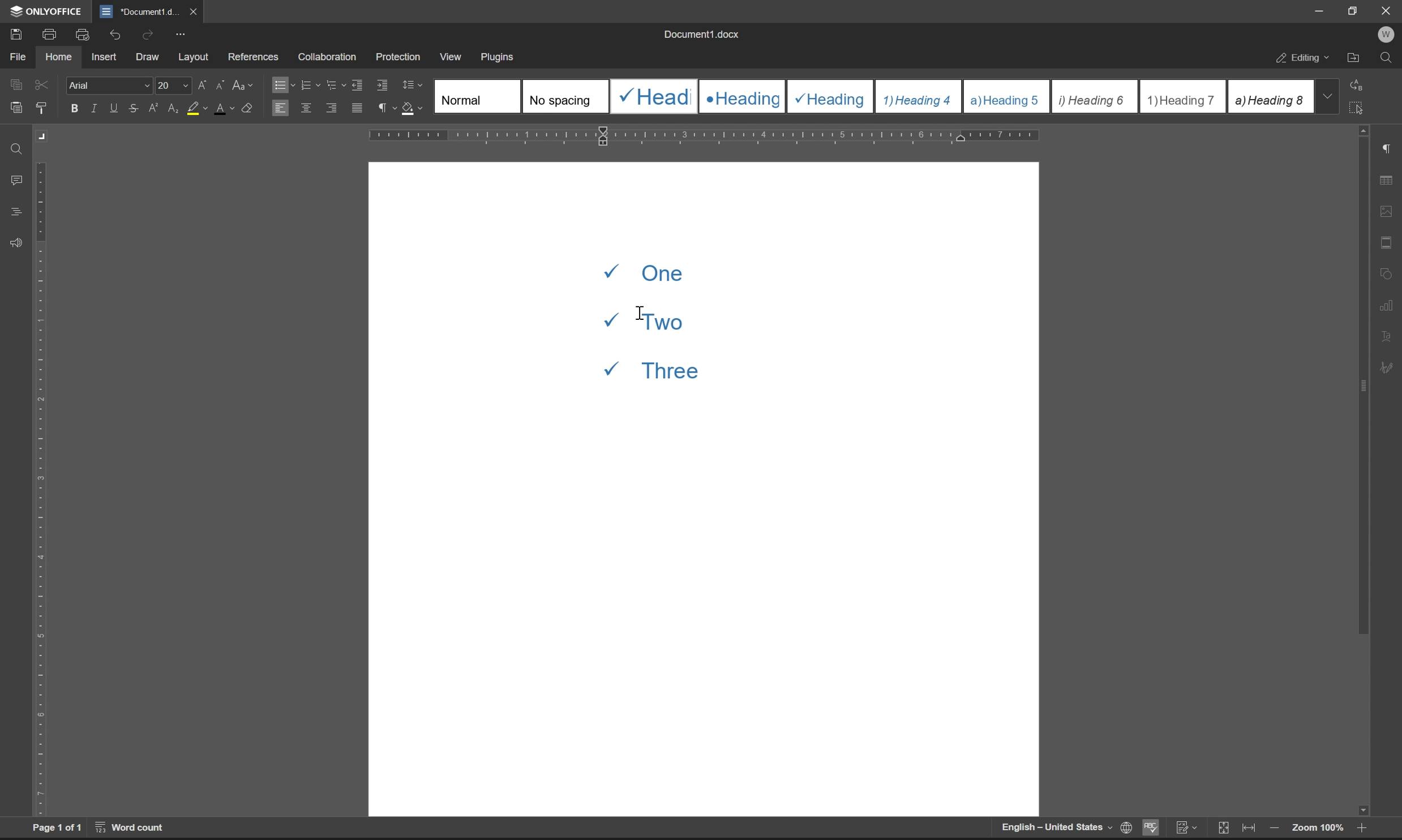 This screenshot has width=1402, height=840. Describe the element at coordinates (331, 57) in the screenshot. I see `collaboration` at that location.